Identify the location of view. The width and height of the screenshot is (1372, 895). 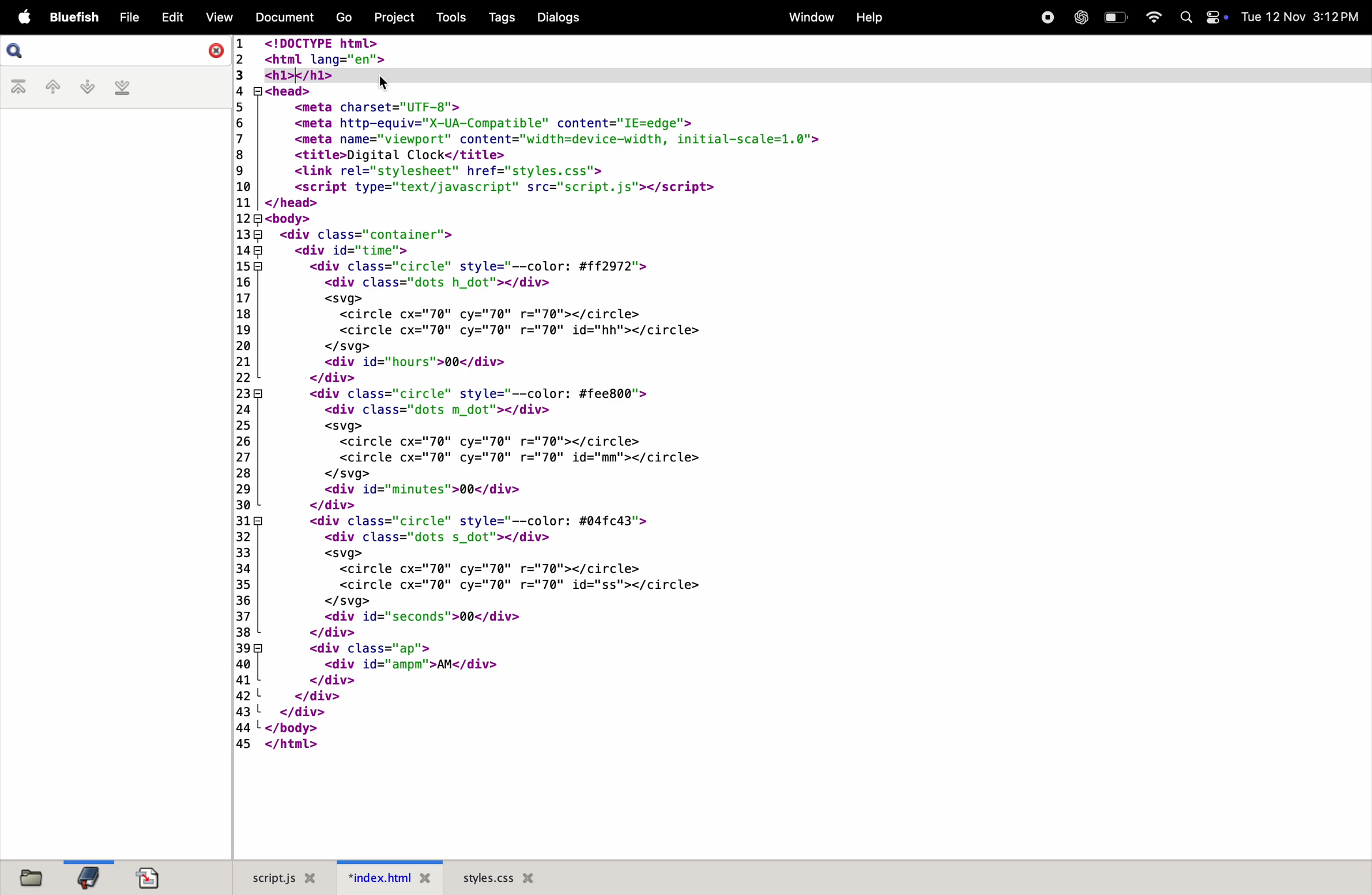
(217, 17).